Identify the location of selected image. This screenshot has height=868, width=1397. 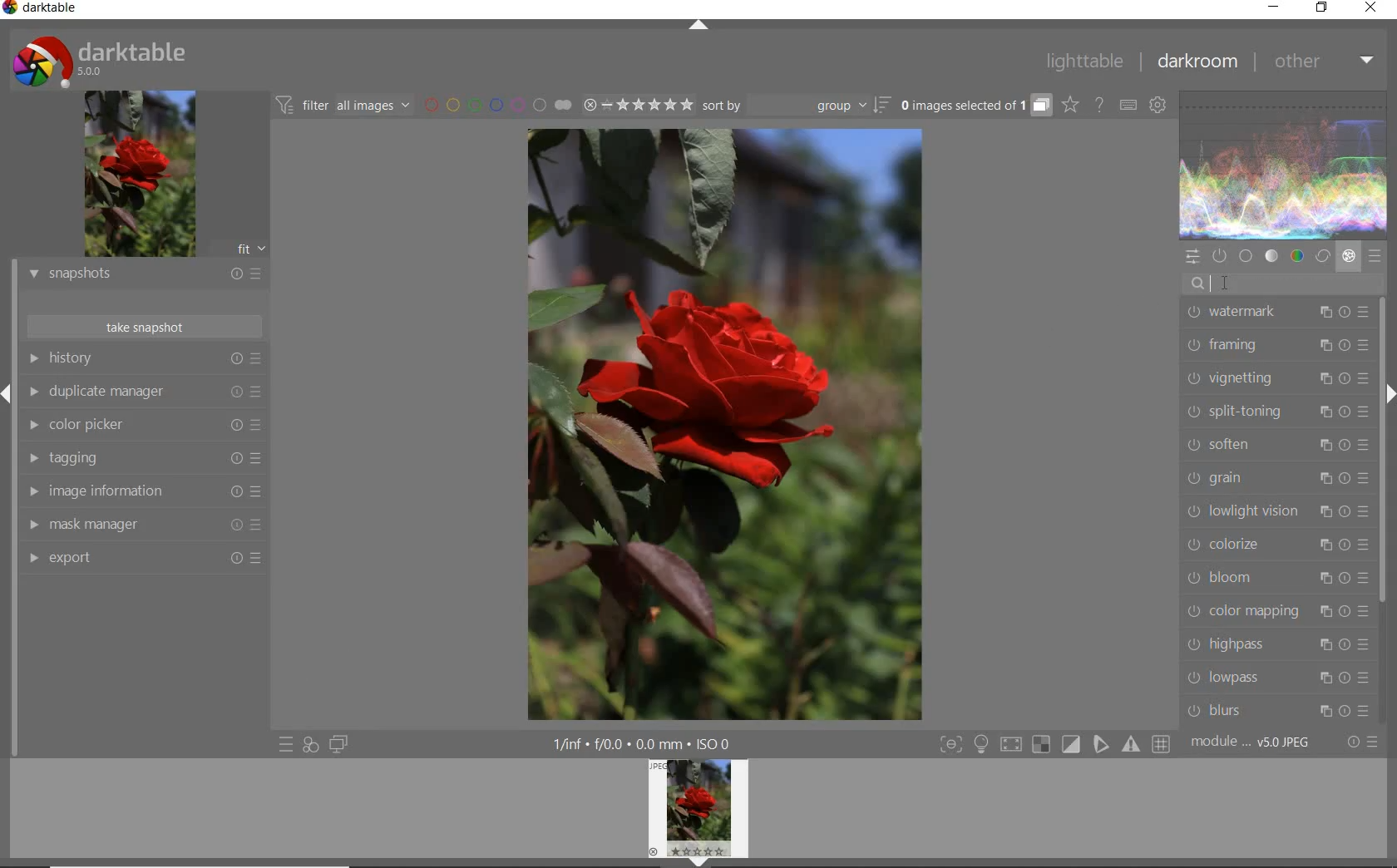
(723, 423).